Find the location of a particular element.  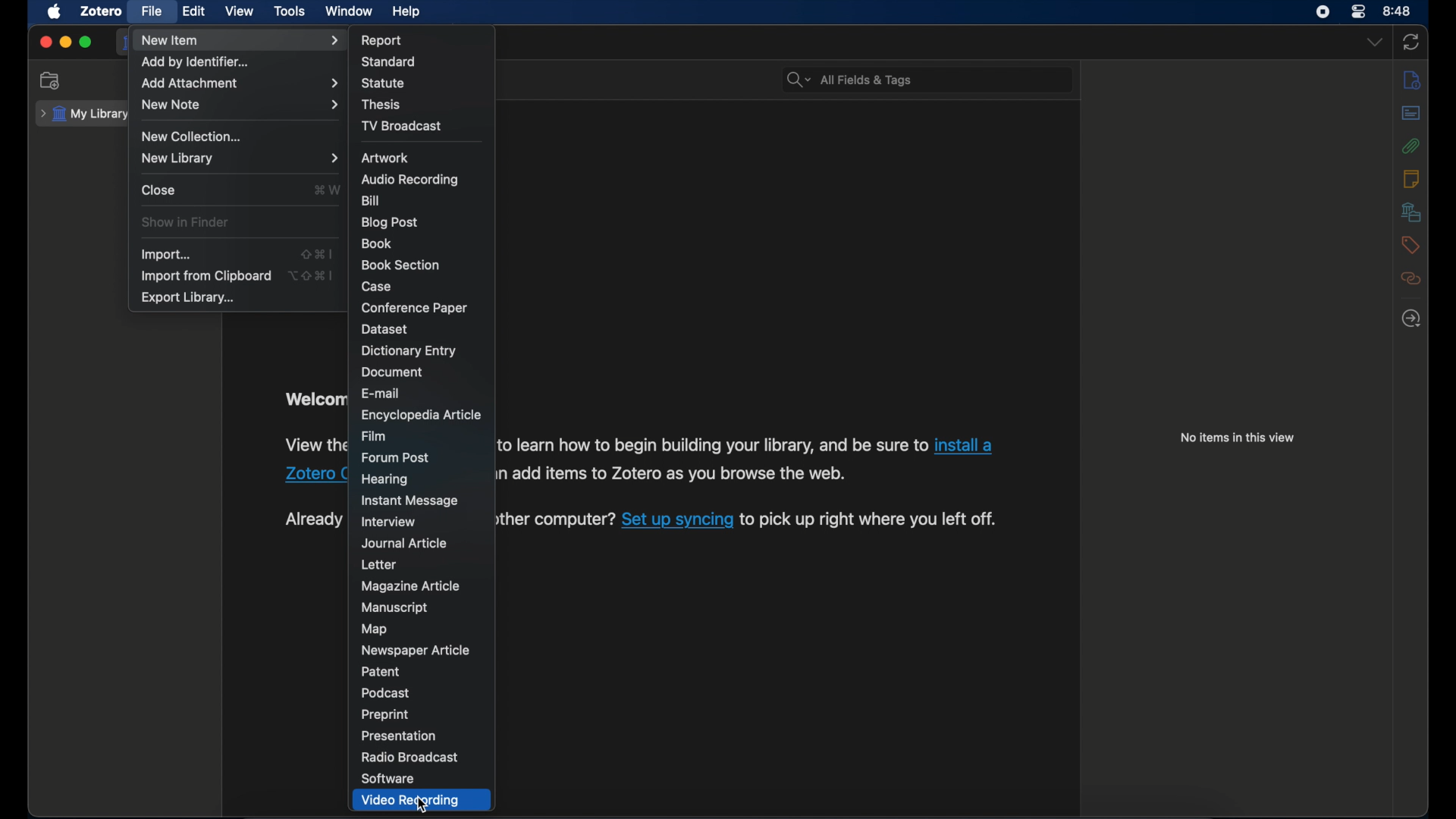

software information is located at coordinates (677, 476).